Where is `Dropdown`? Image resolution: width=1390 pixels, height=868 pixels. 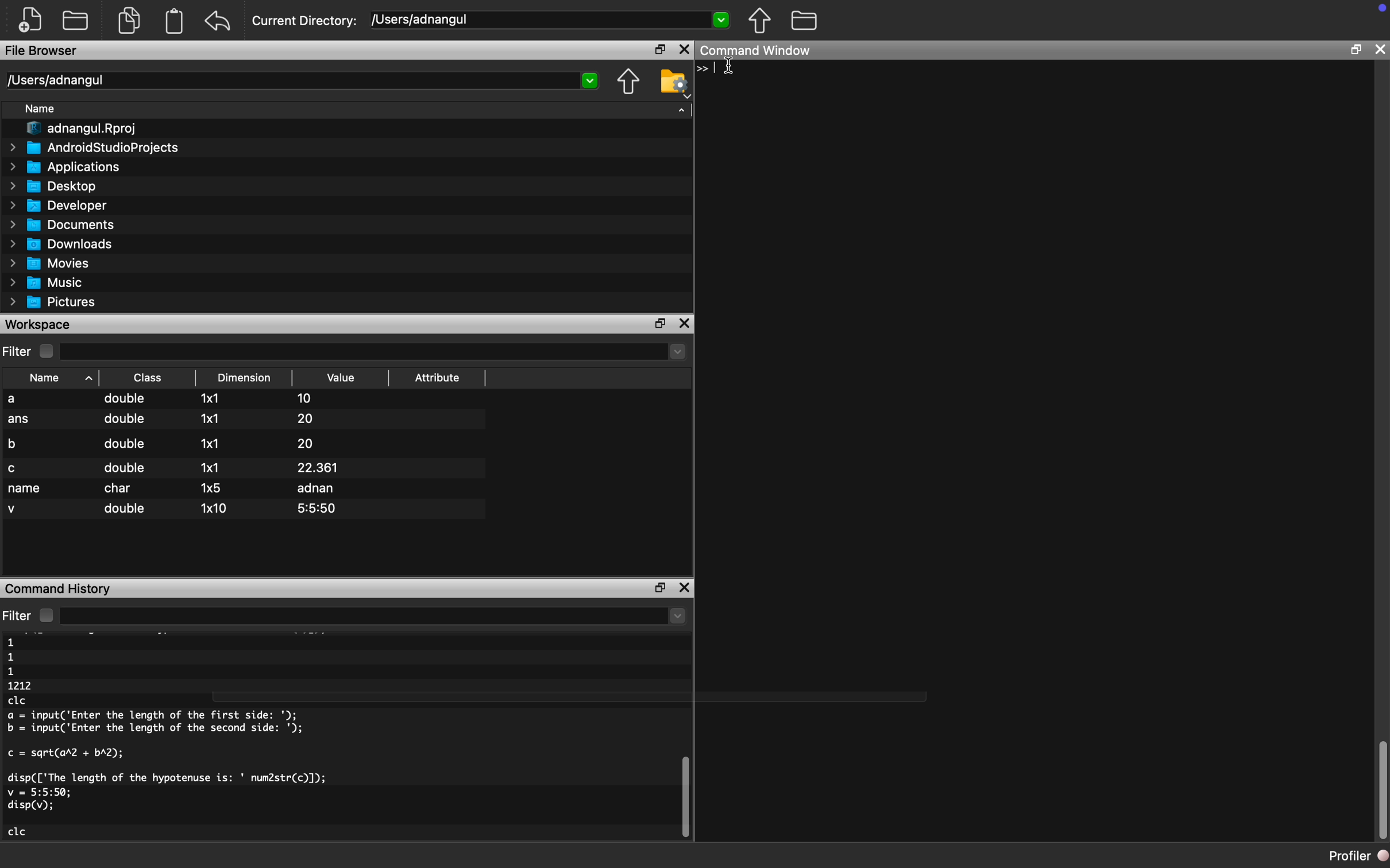
Dropdown is located at coordinates (589, 81).